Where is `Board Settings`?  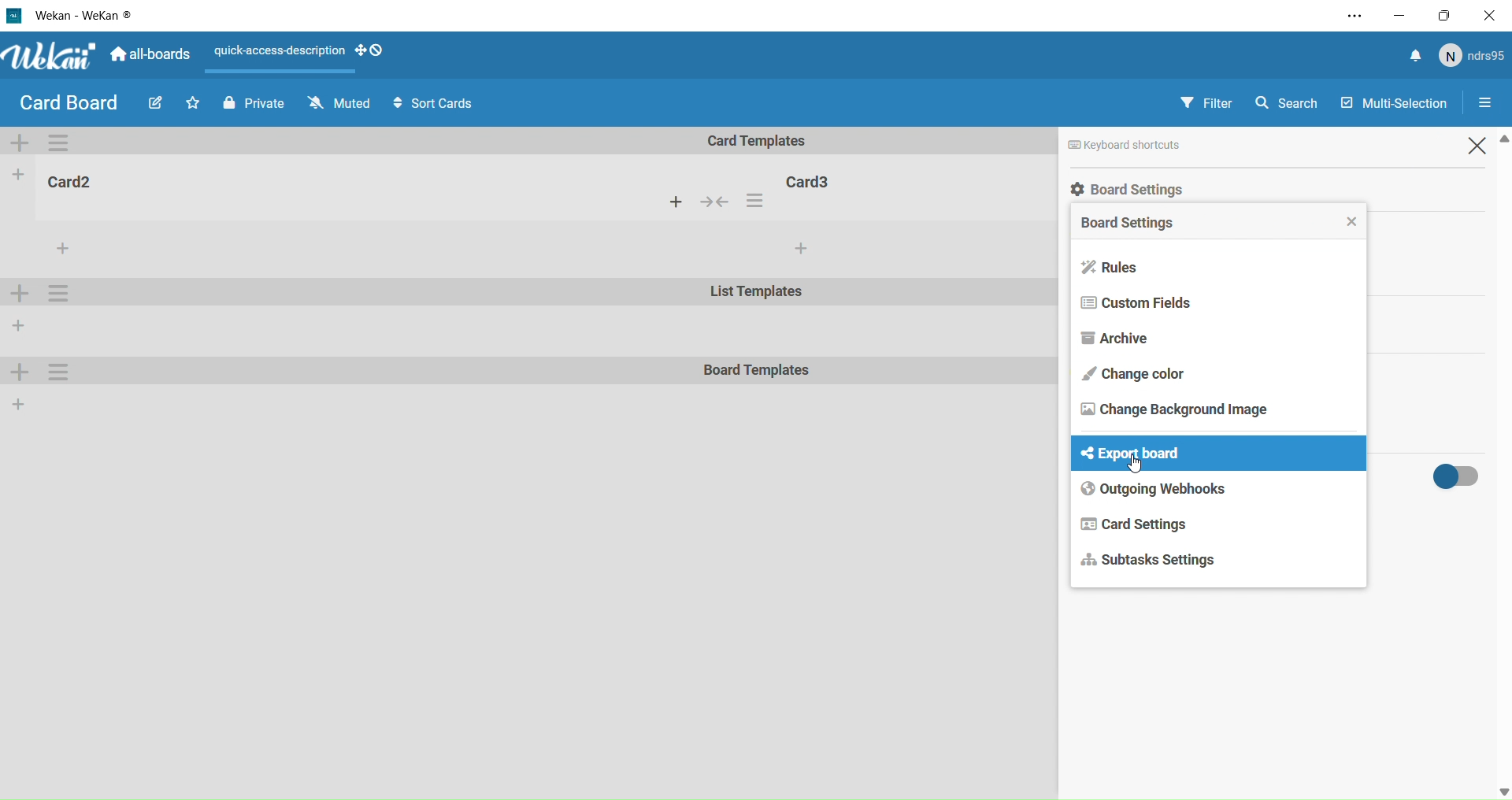
Board Settings is located at coordinates (1134, 224).